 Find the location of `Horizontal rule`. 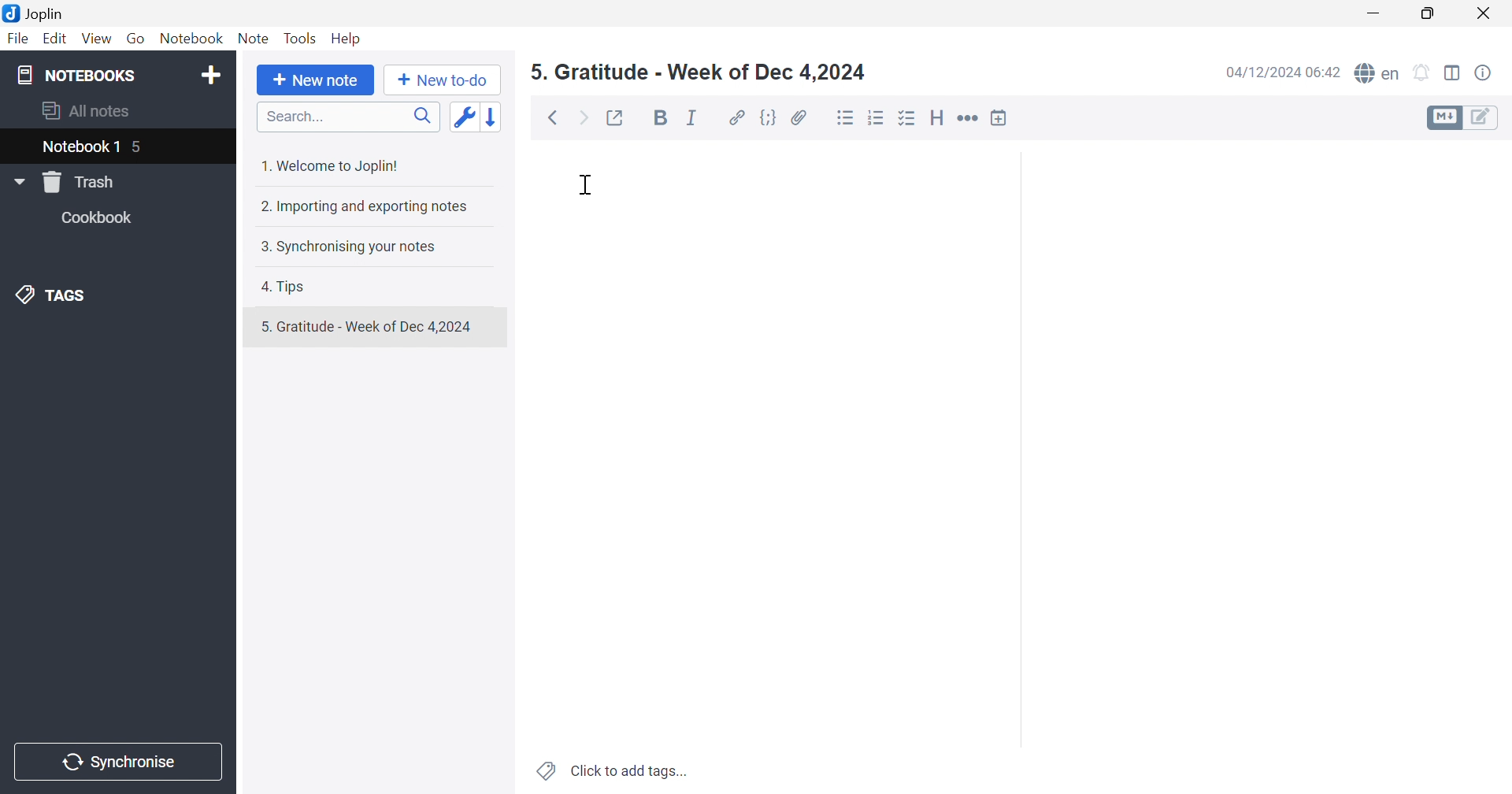

Horizontal rule is located at coordinates (969, 118).